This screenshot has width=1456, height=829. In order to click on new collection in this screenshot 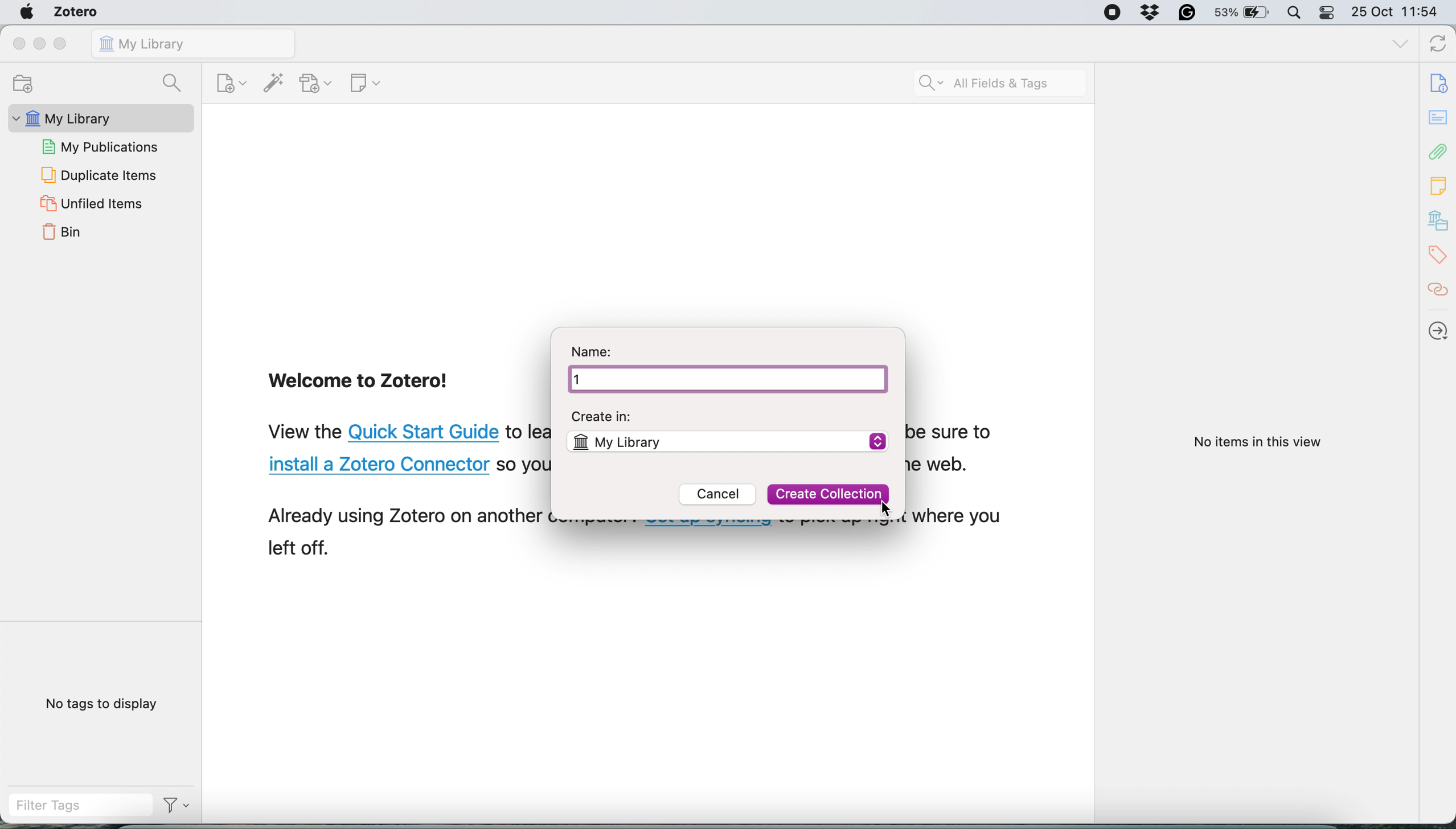, I will do `click(28, 83)`.